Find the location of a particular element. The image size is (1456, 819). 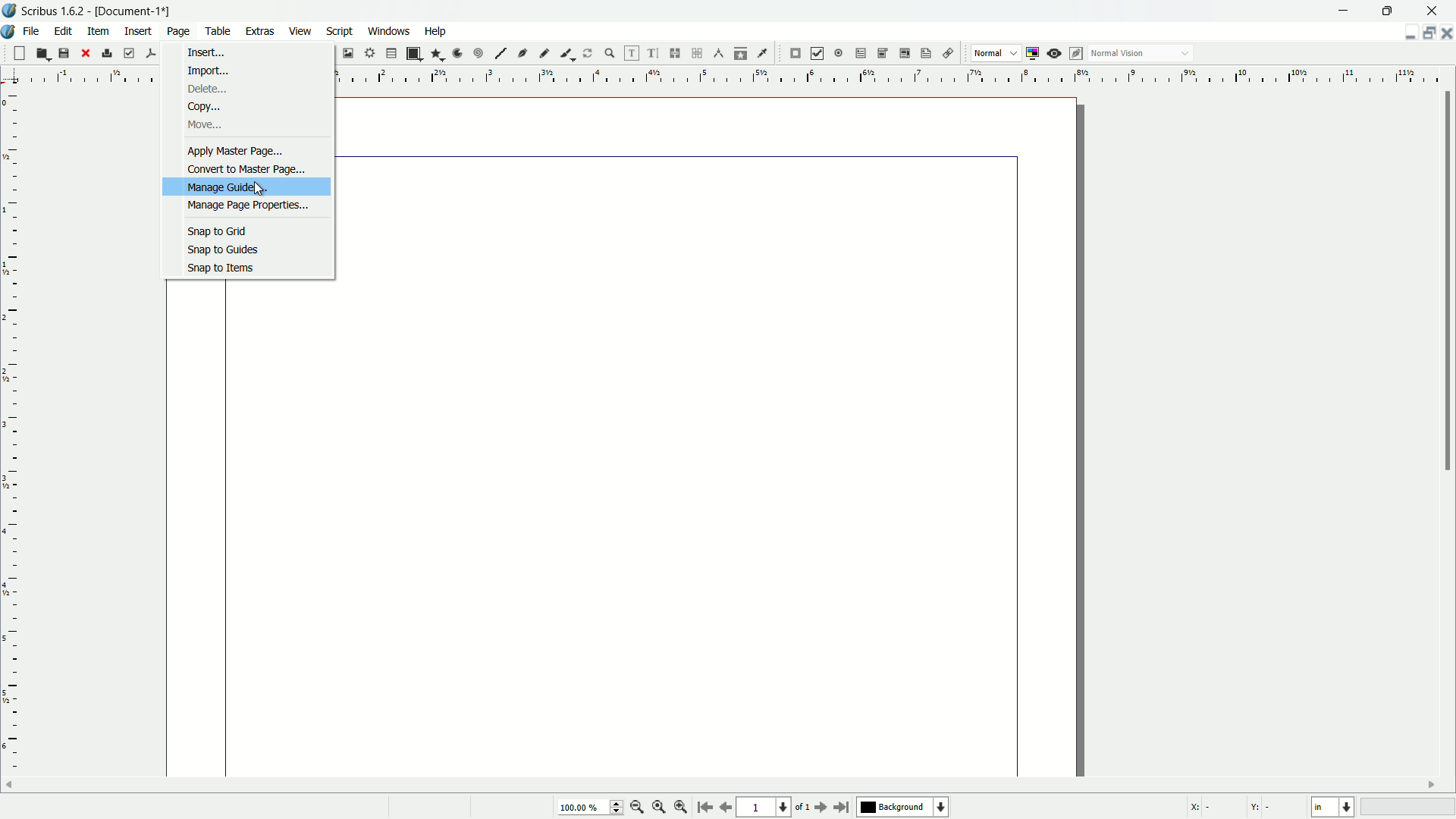

minimize is located at coordinates (1345, 10).